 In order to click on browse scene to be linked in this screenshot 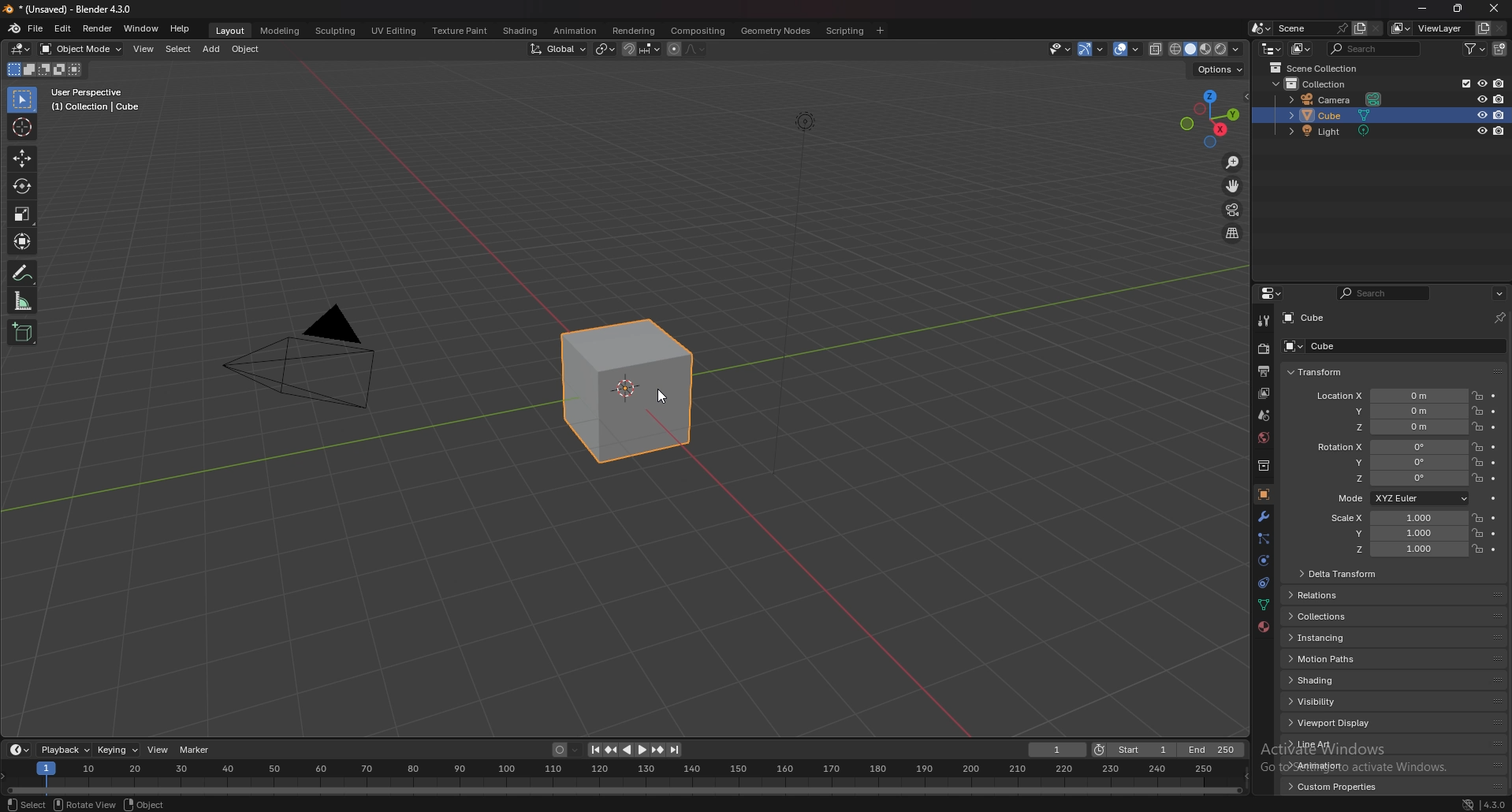, I will do `click(1261, 28)`.